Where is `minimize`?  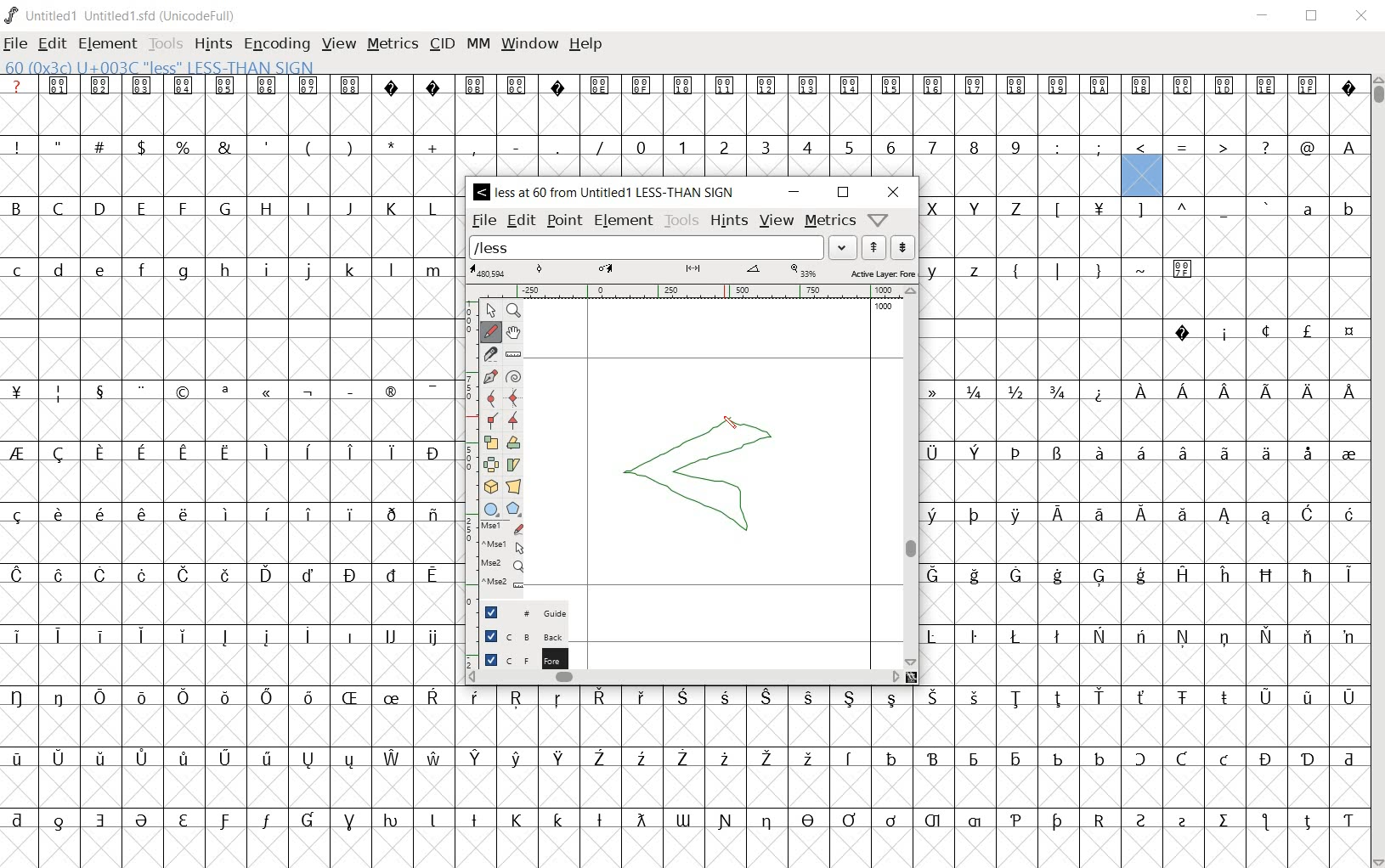 minimize is located at coordinates (1263, 15).